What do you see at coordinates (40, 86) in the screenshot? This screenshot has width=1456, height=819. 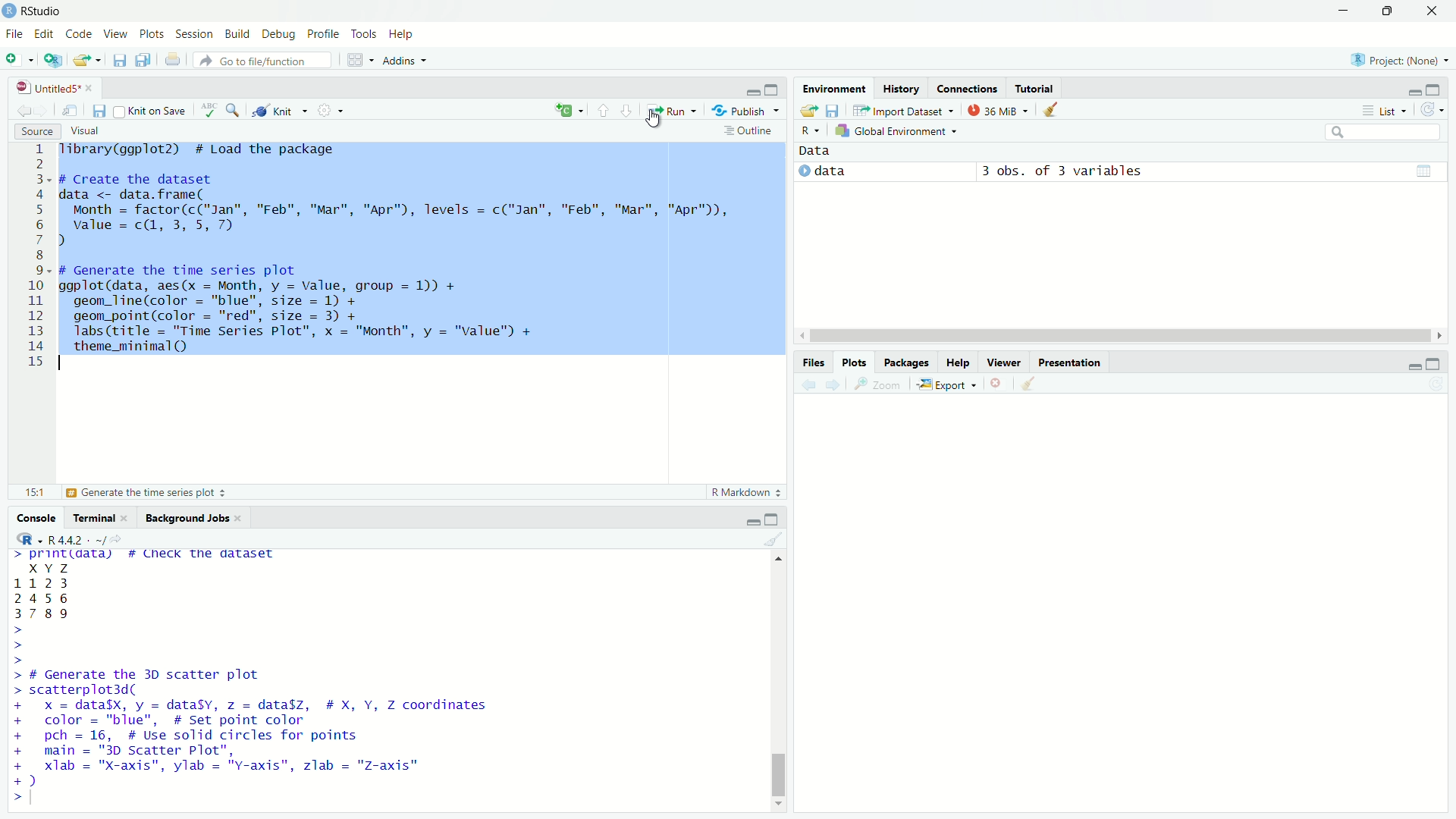 I see `untitled5` at bounding box center [40, 86].